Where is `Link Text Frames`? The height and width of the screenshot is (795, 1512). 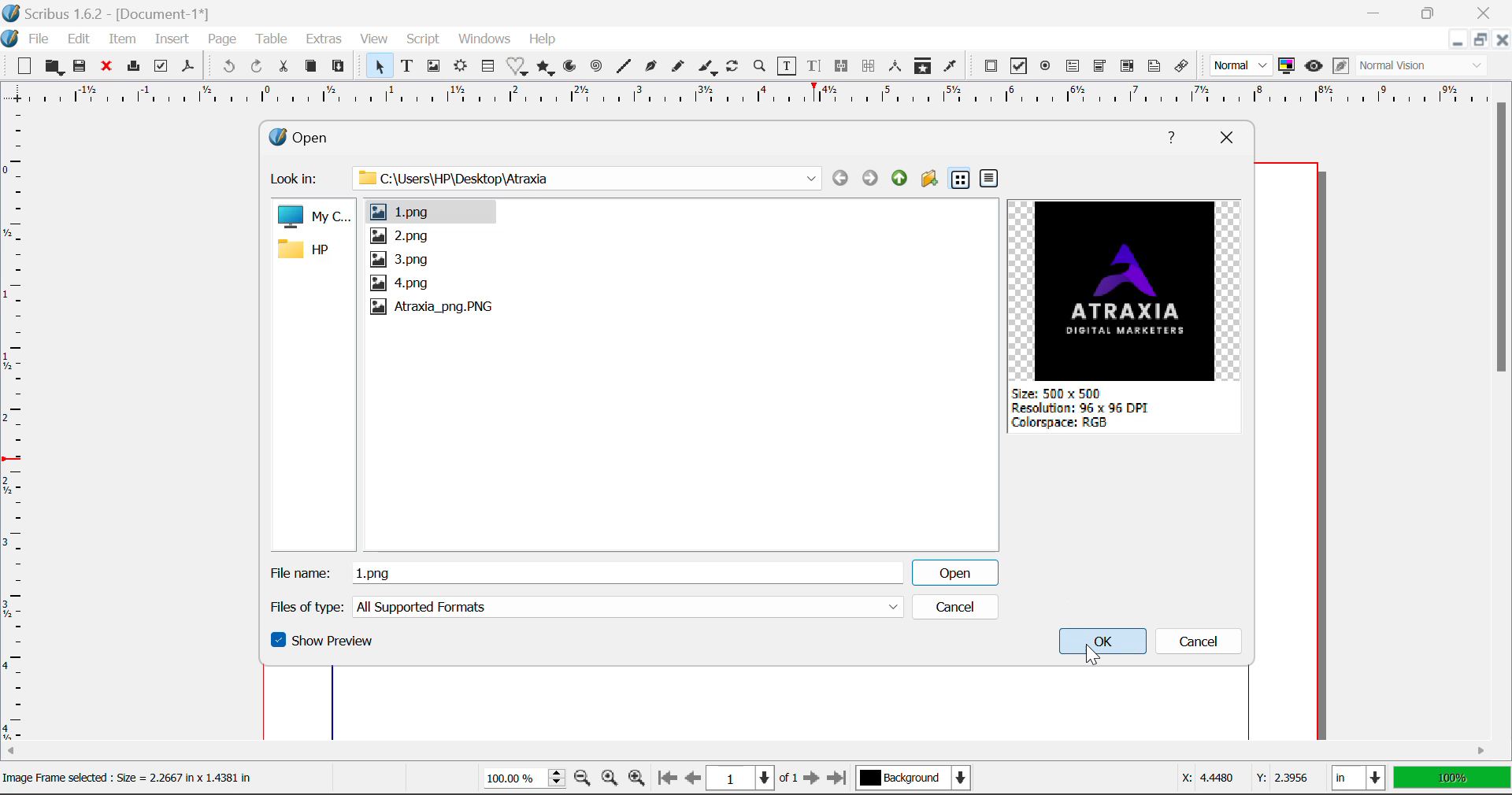
Link Text Frames is located at coordinates (844, 65).